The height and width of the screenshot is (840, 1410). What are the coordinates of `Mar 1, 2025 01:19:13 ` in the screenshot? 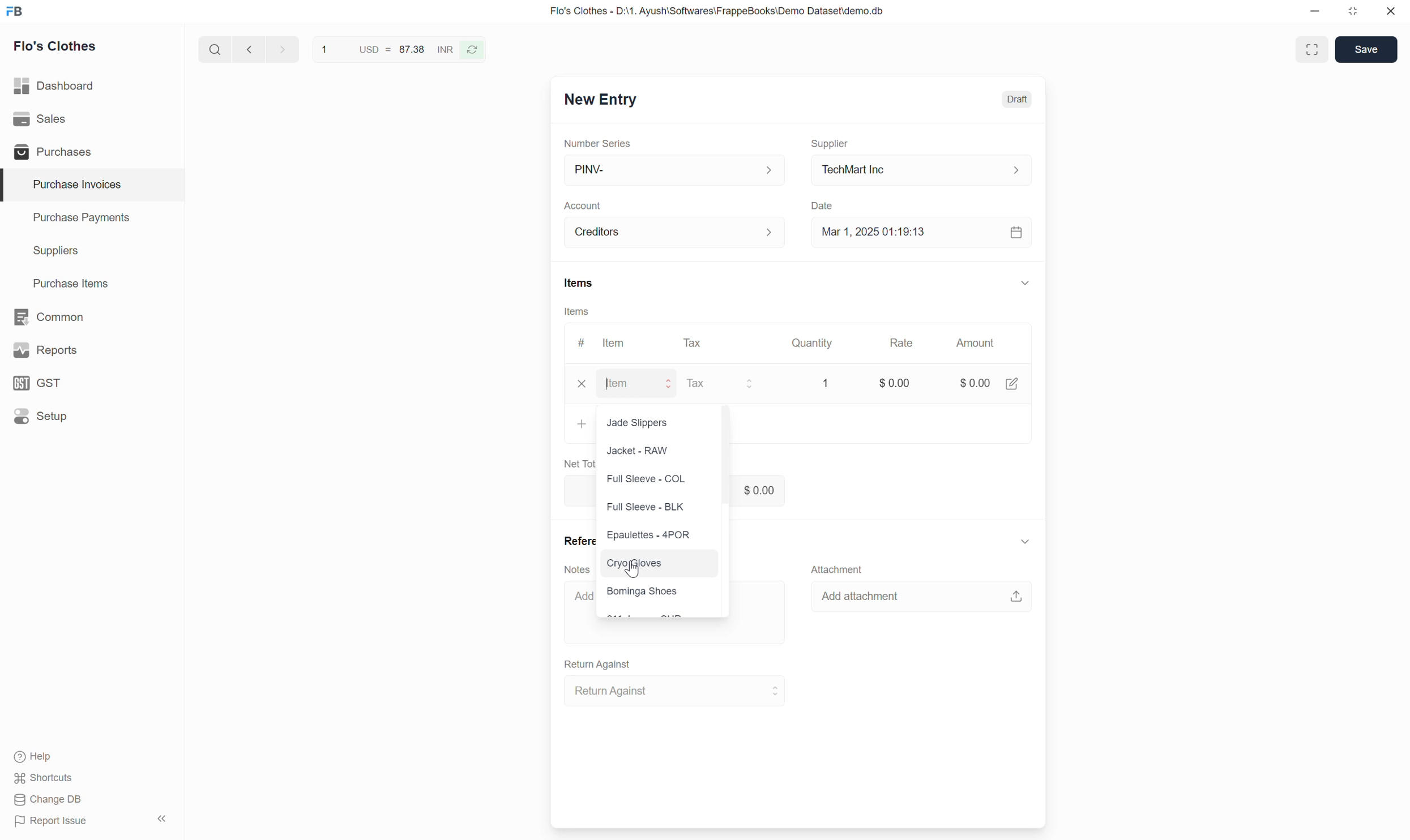 It's located at (918, 233).